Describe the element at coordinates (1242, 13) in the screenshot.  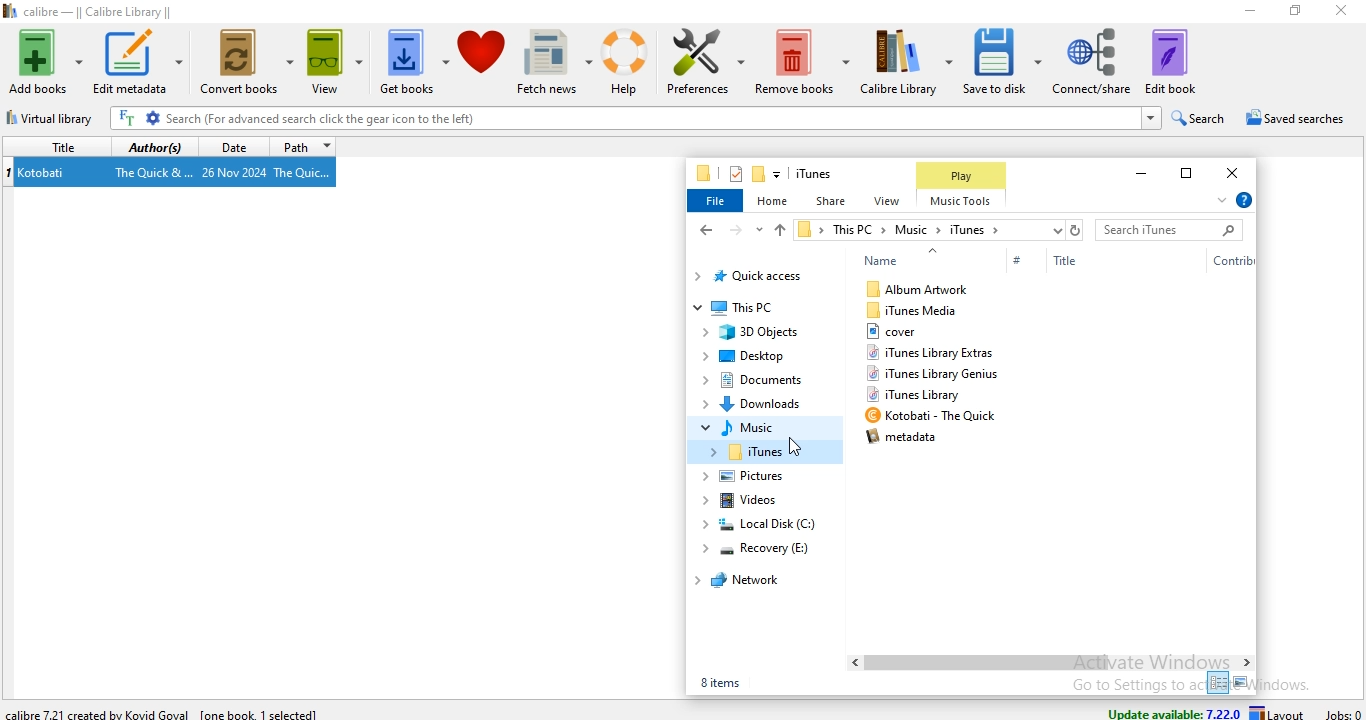
I see `minimise` at that location.